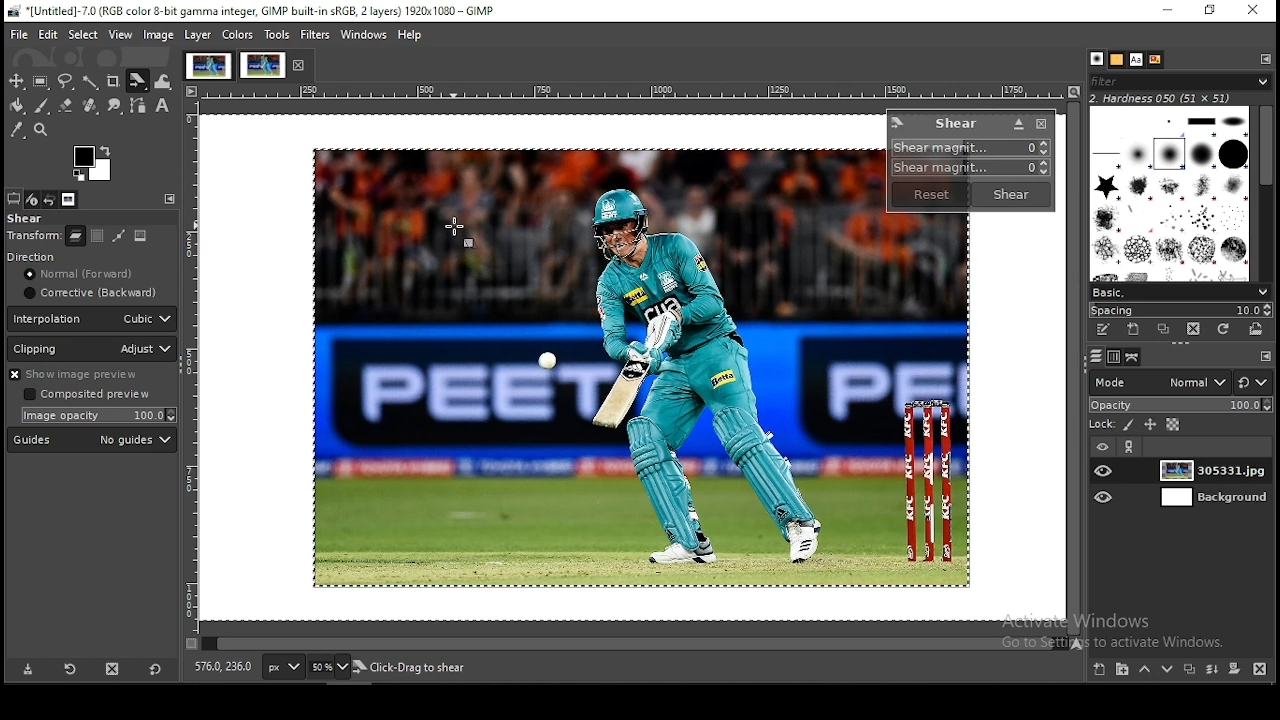 The height and width of the screenshot is (720, 1280). Describe the element at coordinates (1133, 357) in the screenshot. I see `layers` at that location.